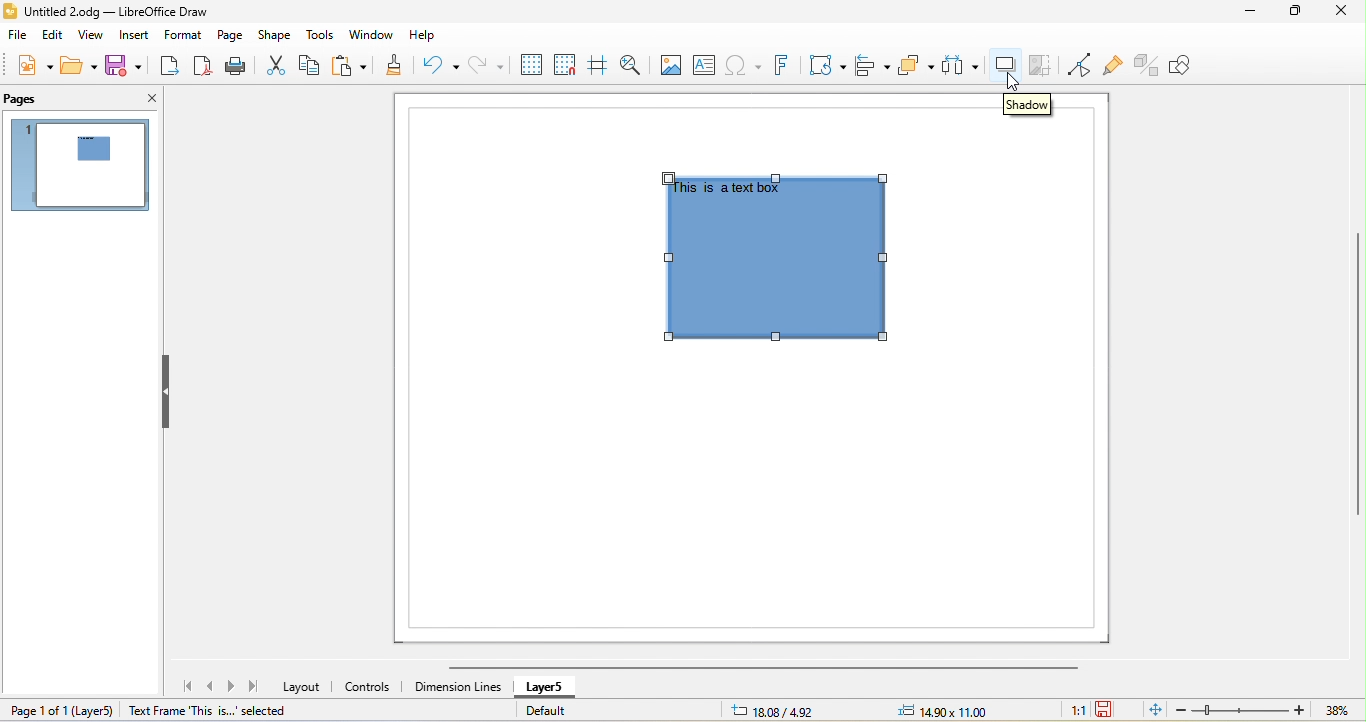 This screenshot has width=1366, height=722. What do you see at coordinates (709, 64) in the screenshot?
I see `text box` at bounding box center [709, 64].